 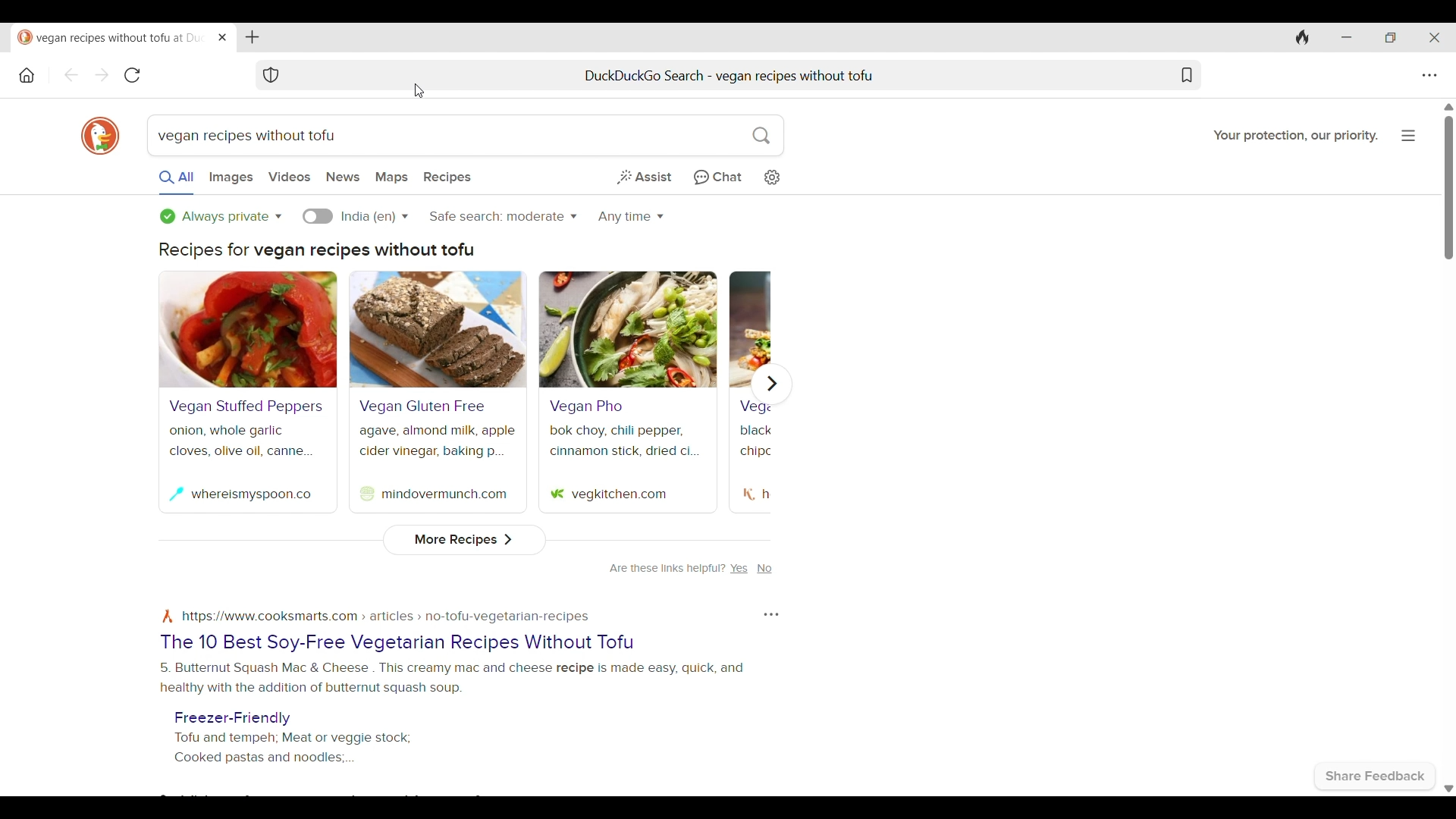 I want to click on Search box, so click(x=571, y=136).